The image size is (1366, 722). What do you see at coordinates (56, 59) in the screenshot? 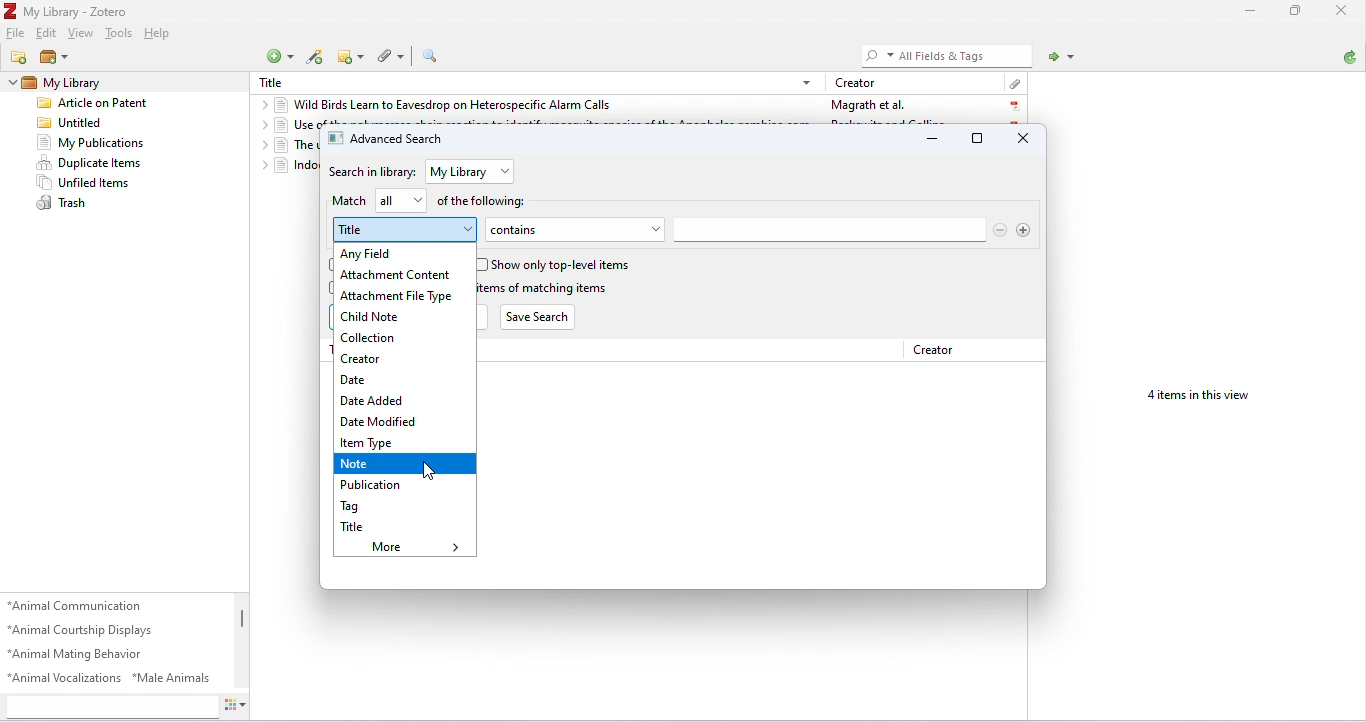
I see `new library` at bounding box center [56, 59].